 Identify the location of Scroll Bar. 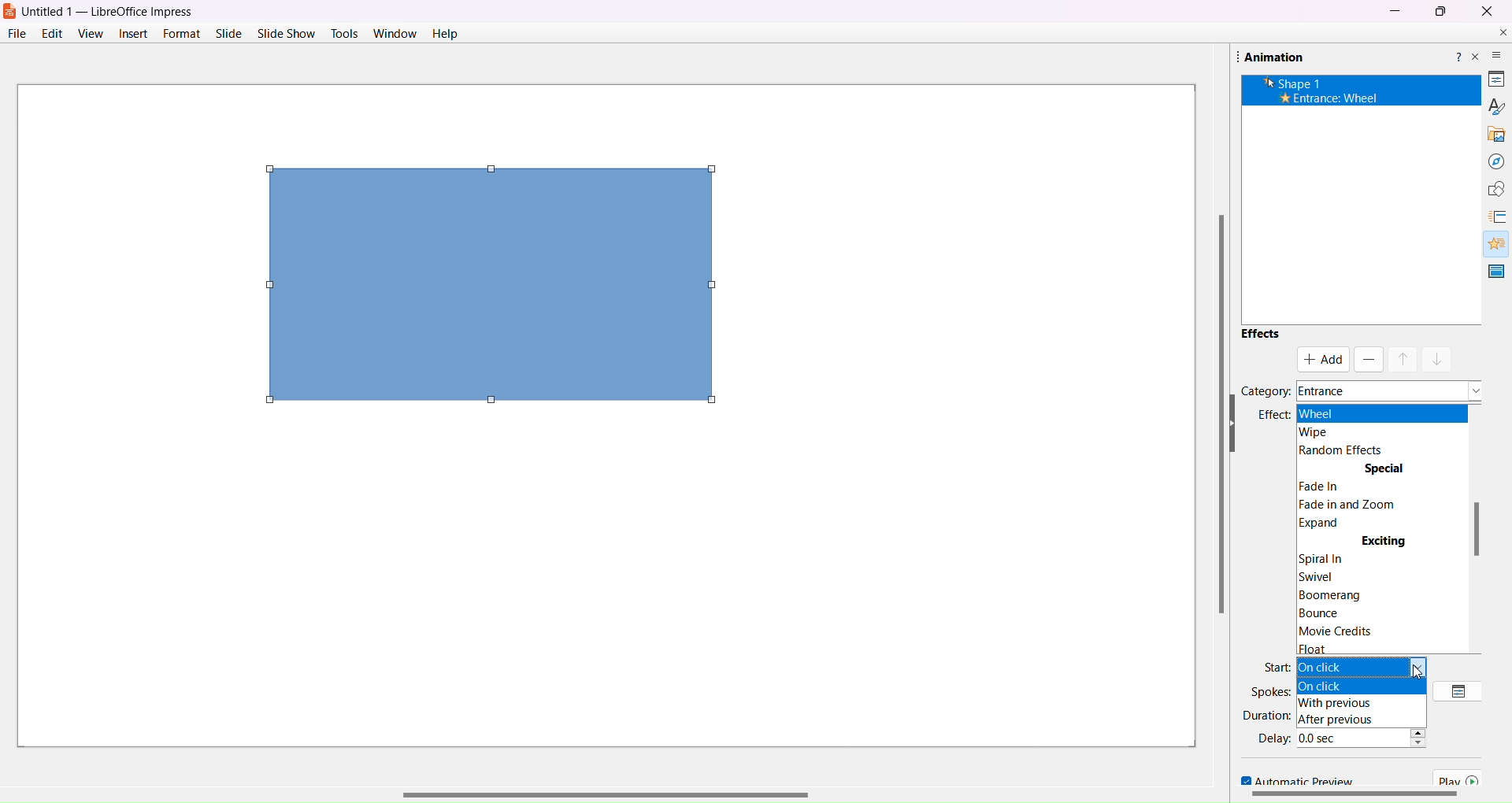
(1480, 528).